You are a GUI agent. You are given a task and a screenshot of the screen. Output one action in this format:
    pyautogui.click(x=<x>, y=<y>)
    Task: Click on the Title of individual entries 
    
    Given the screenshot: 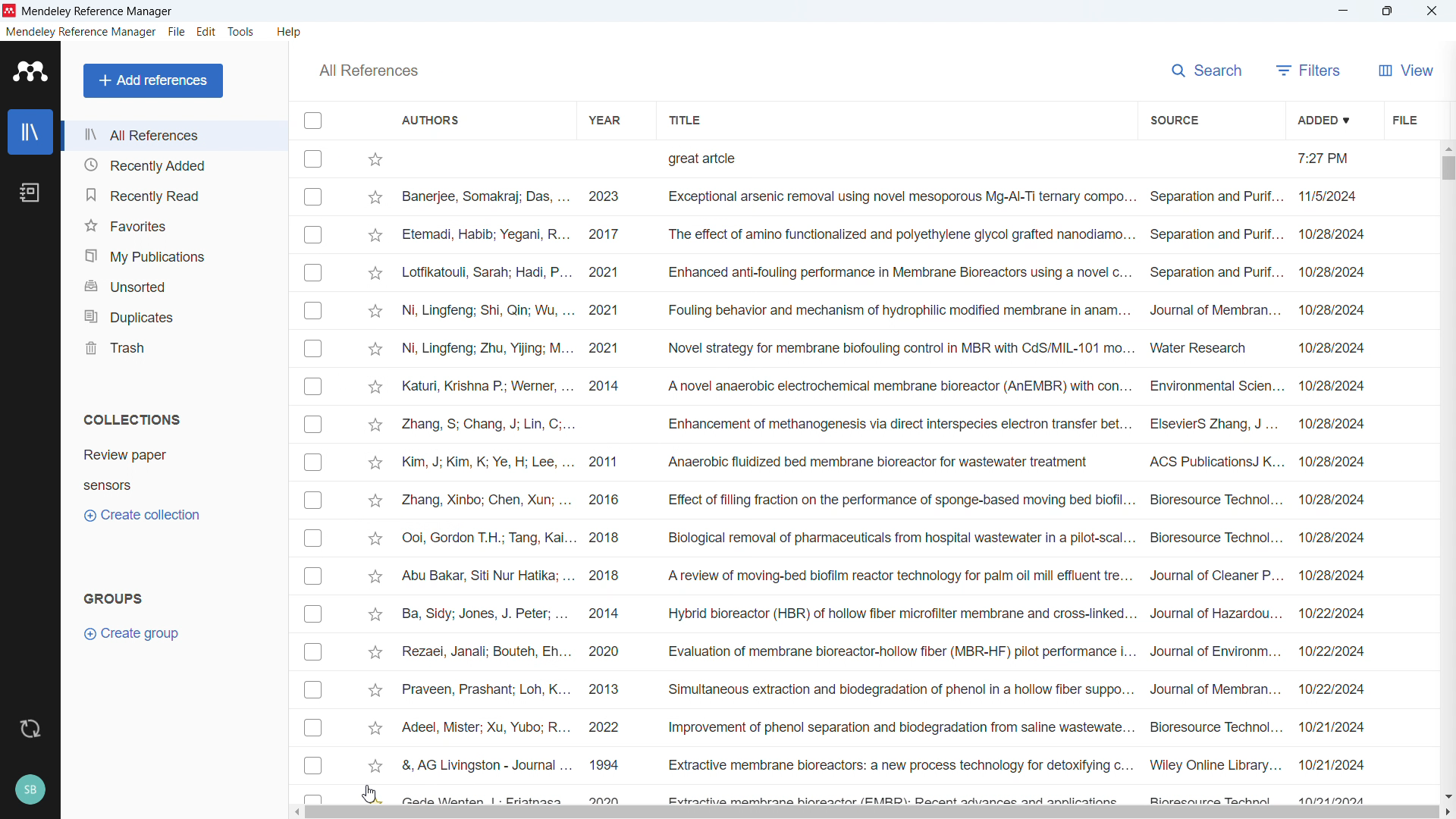 What is the action you would take?
    pyautogui.click(x=896, y=493)
    